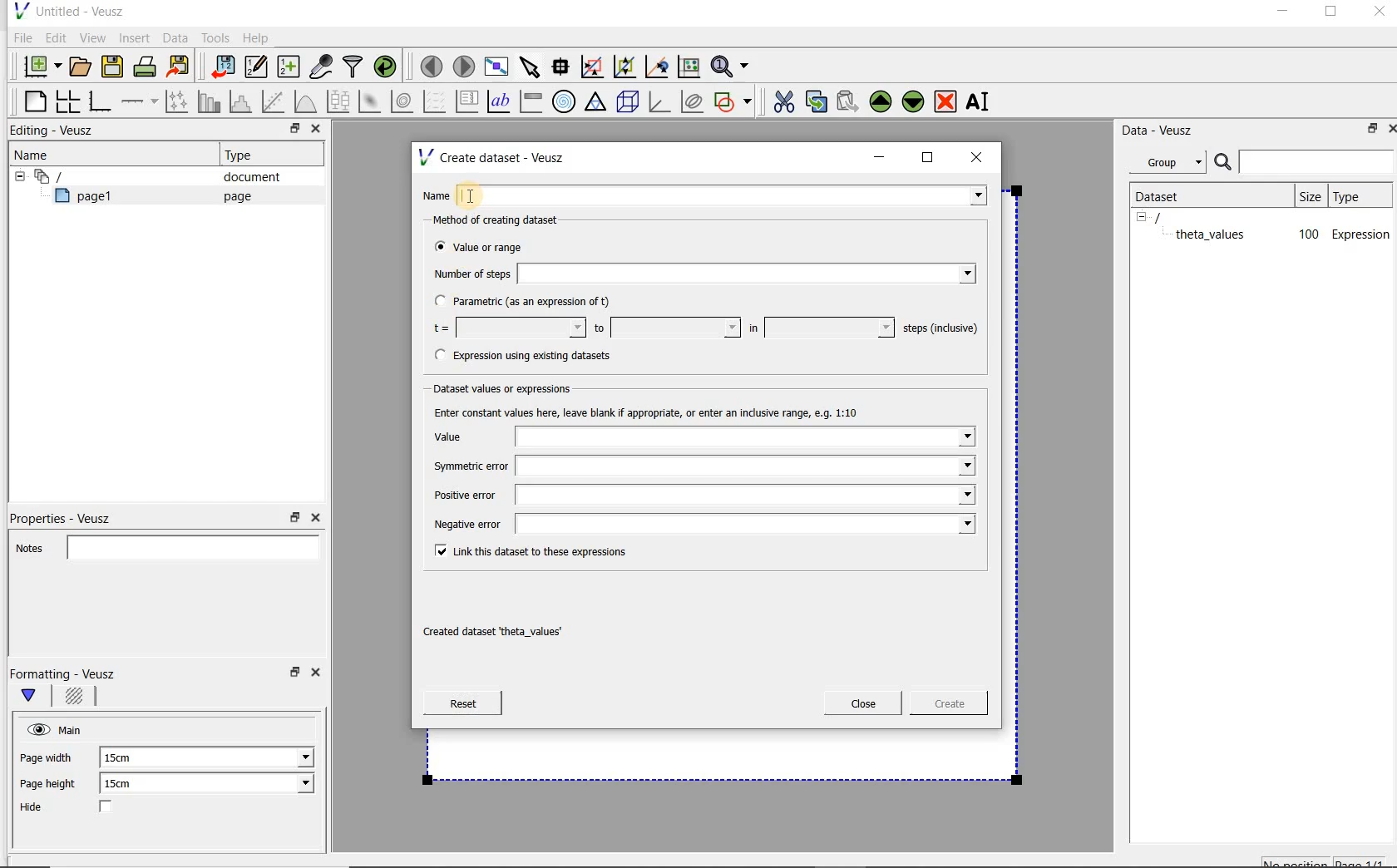 This screenshot has height=868, width=1397. I want to click on remove the selected widget, so click(946, 101).